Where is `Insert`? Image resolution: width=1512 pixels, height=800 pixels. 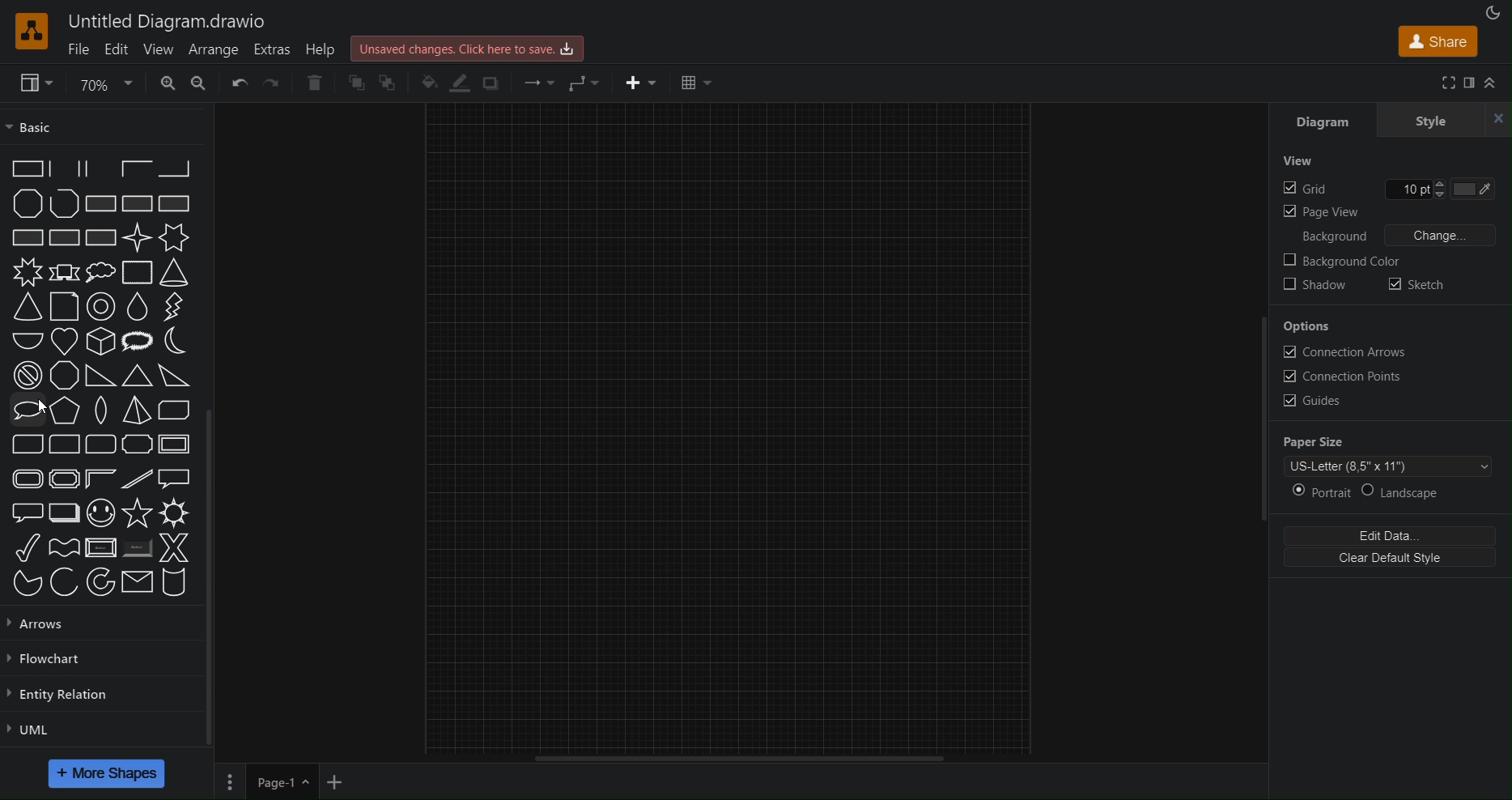
Insert is located at coordinates (639, 84).